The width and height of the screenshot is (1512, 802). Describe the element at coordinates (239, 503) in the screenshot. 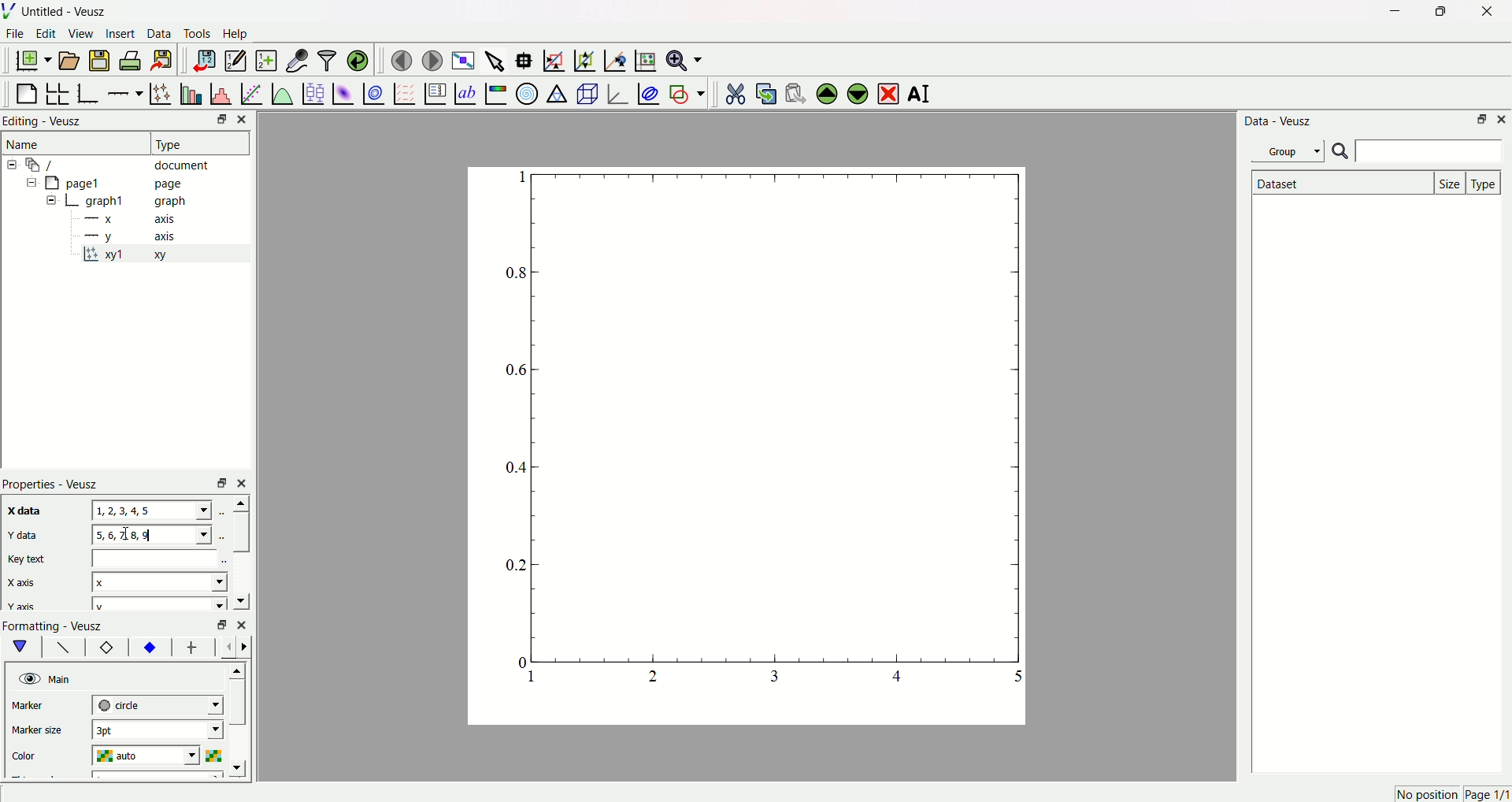

I see `move up` at that location.